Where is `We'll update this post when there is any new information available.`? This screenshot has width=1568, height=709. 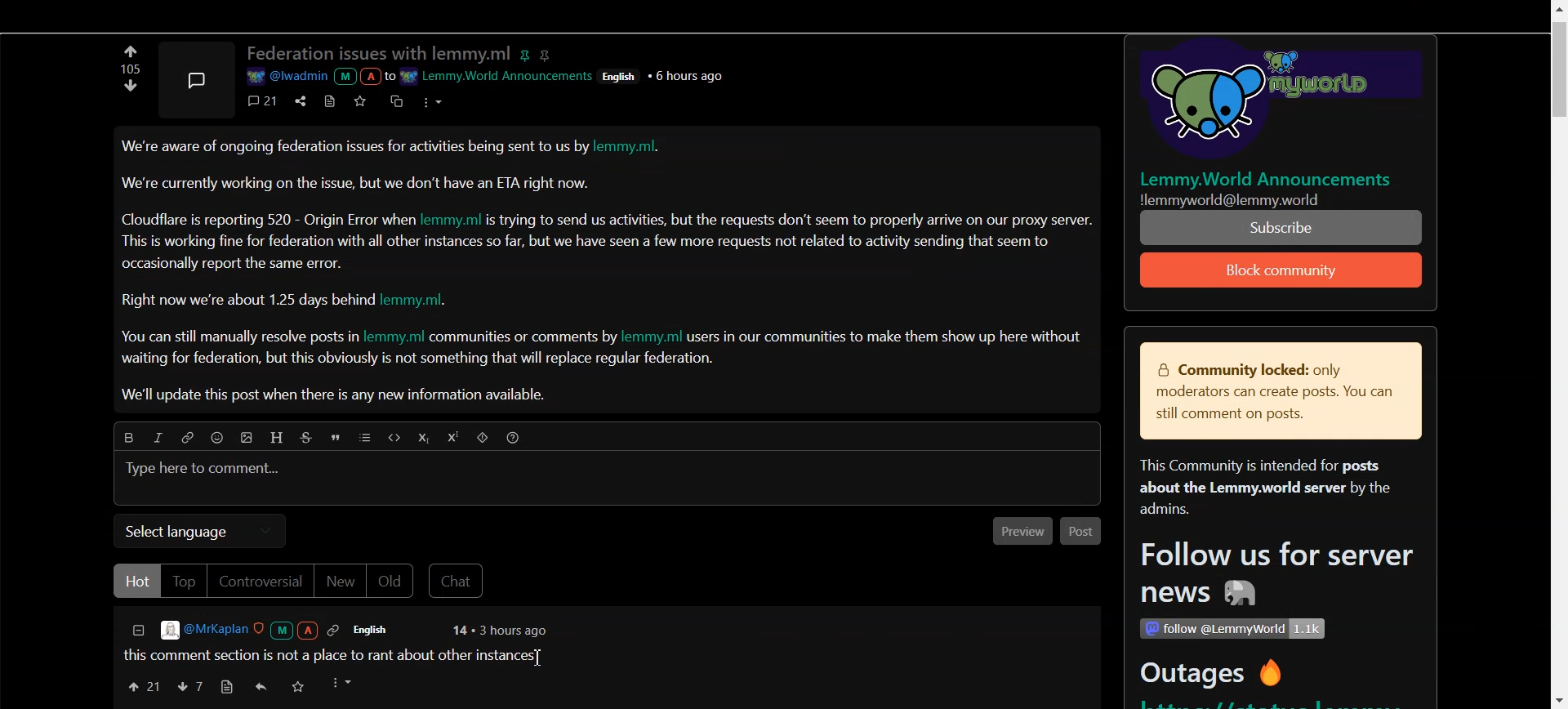 We'll update this post when there is any new information available. is located at coordinates (336, 395).